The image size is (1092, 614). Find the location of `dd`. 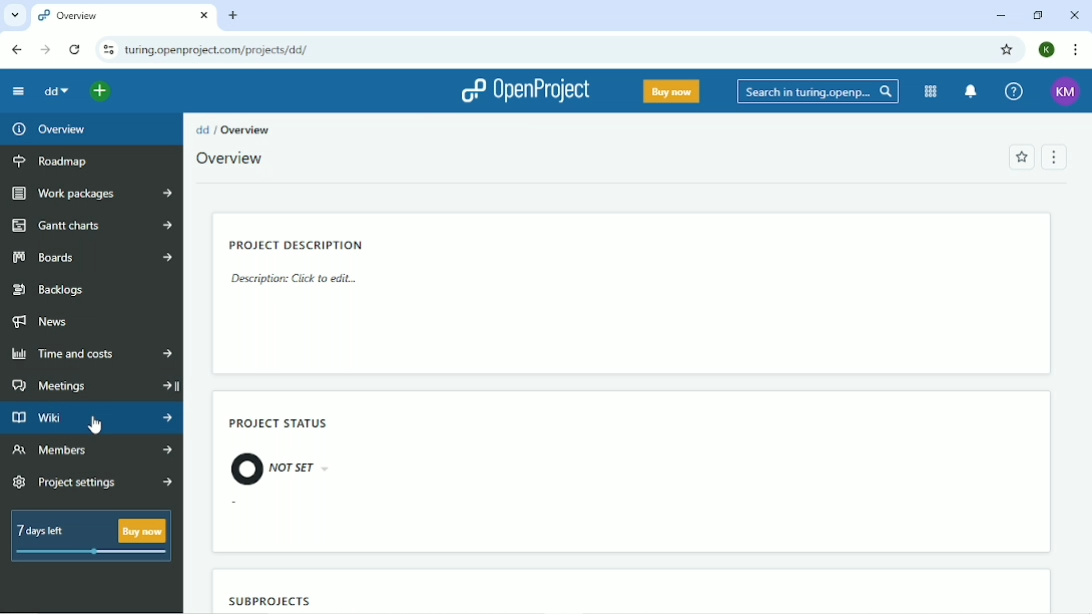

dd is located at coordinates (56, 93).